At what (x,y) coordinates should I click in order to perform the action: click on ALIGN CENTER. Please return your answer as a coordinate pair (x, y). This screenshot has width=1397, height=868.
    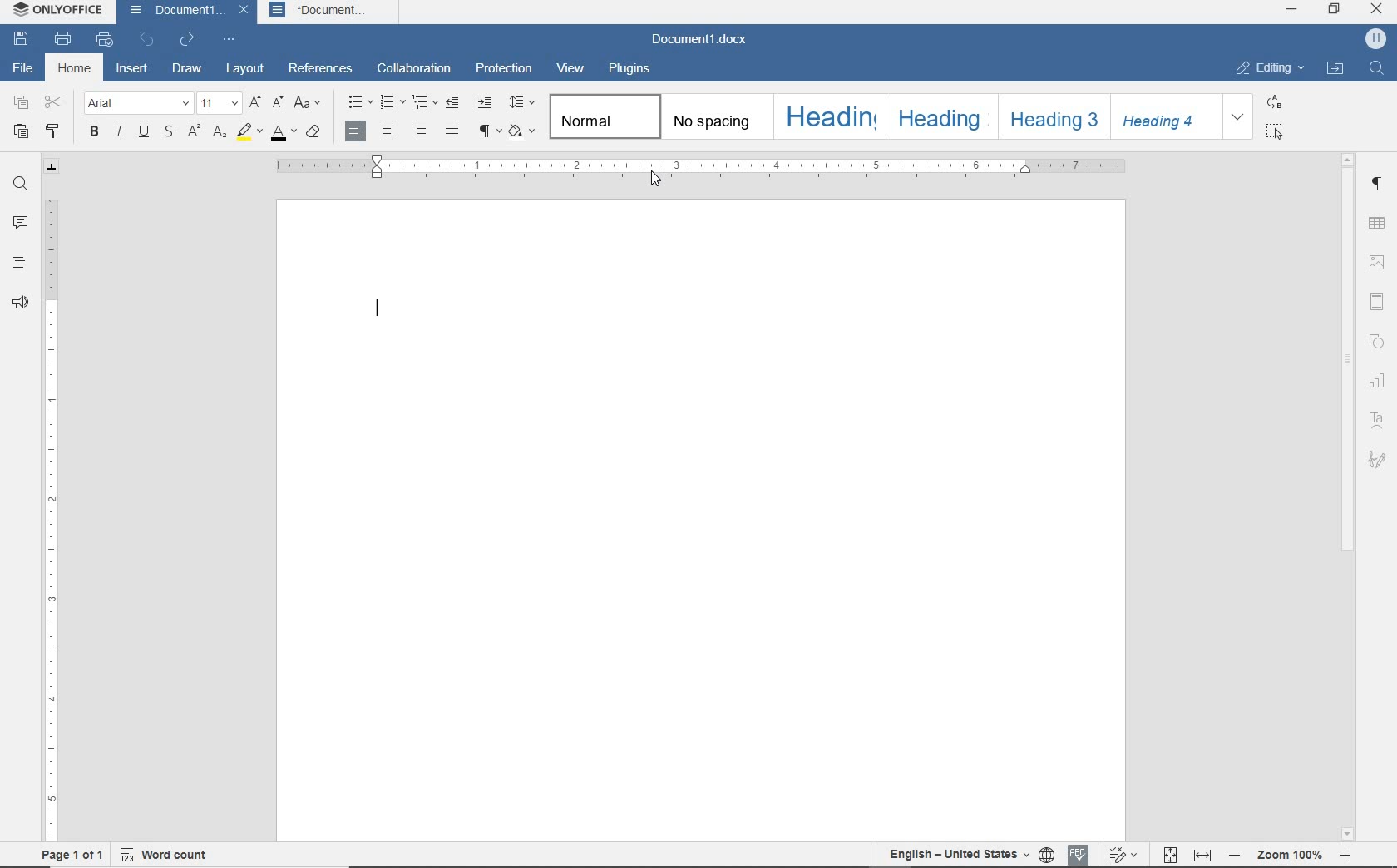
    Looking at the image, I should click on (387, 131).